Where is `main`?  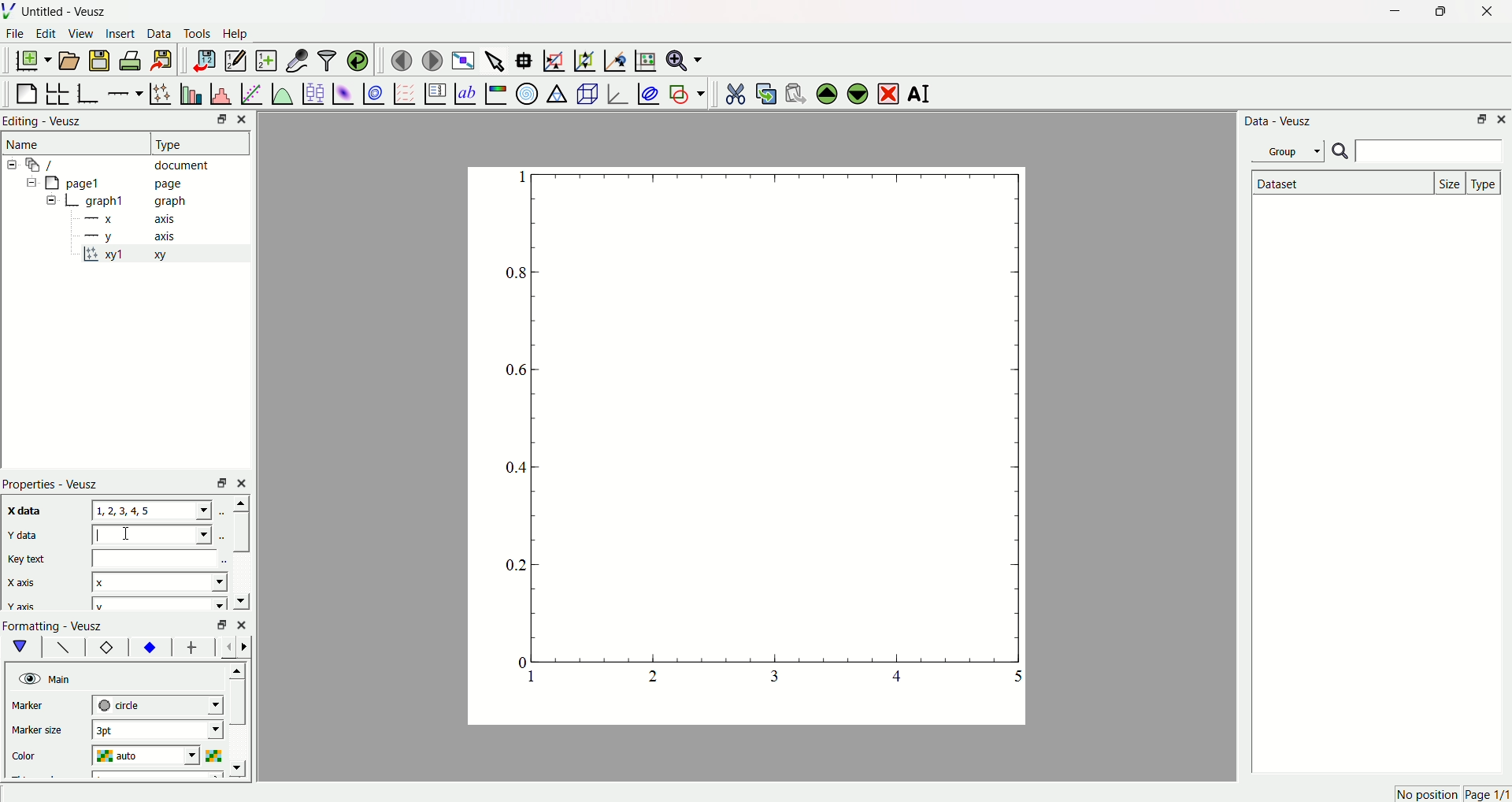 main is located at coordinates (24, 647).